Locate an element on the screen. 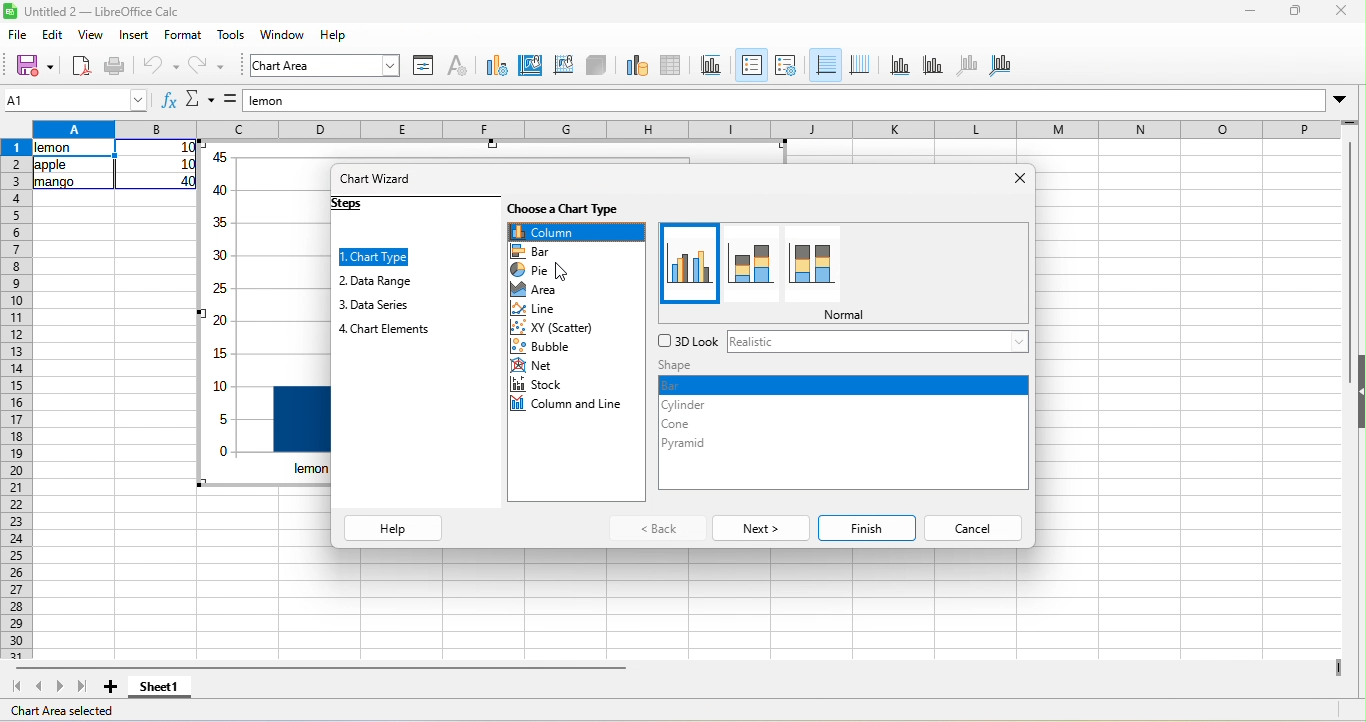  Drop-down  is located at coordinates (1342, 100).